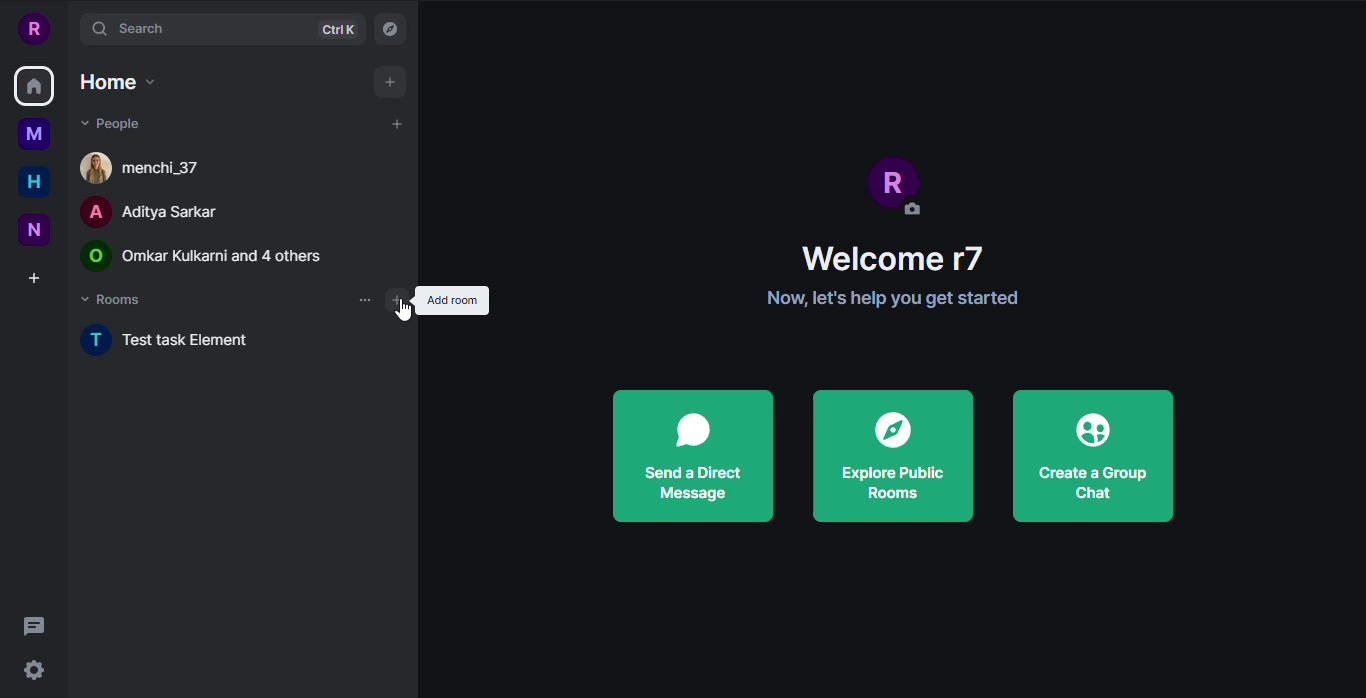  What do you see at coordinates (113, 300) in the screenshot?
I see `rooms` at bounding box center [113, 300].